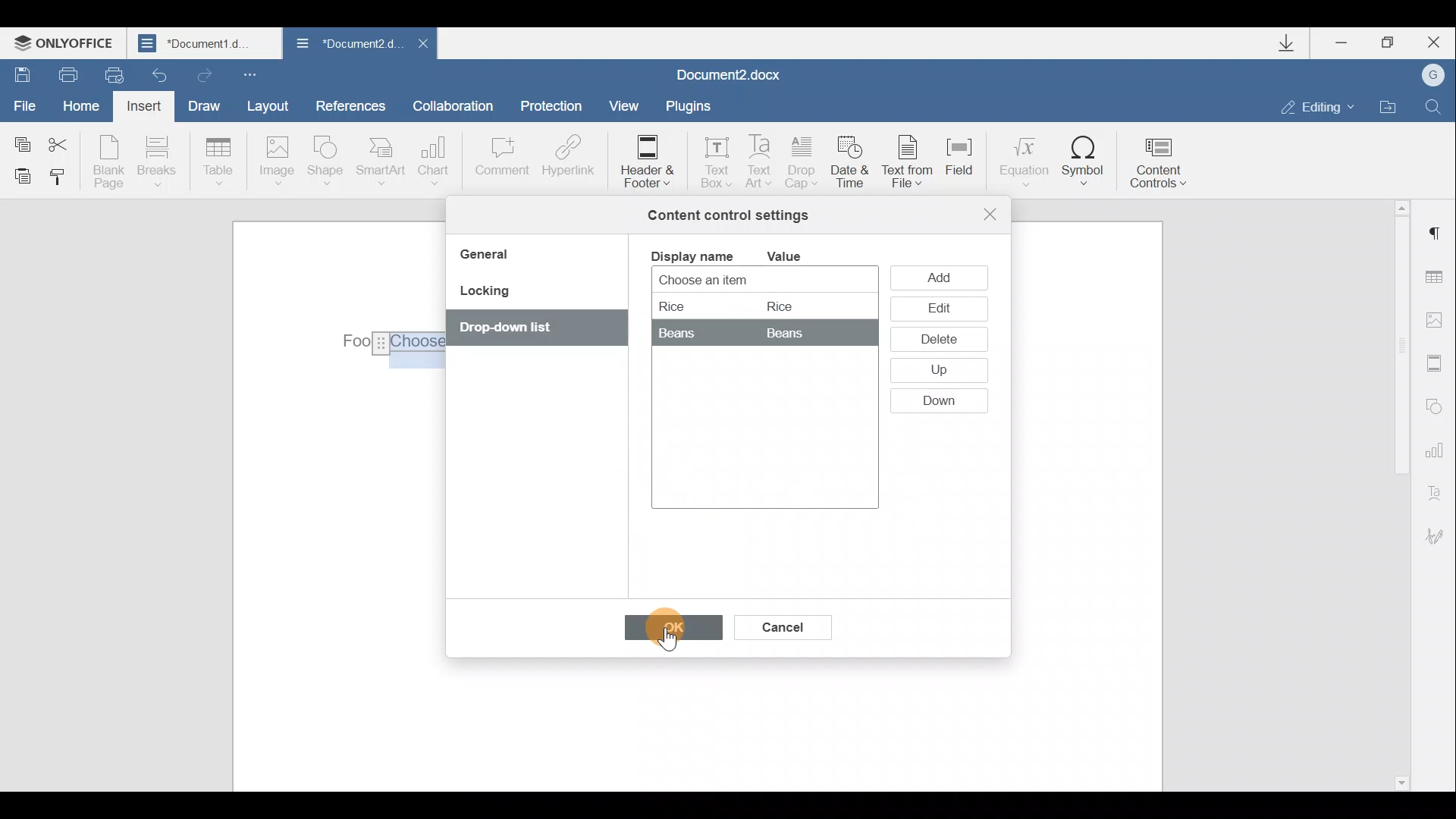  I want to click on Text box, so click(711, 158).